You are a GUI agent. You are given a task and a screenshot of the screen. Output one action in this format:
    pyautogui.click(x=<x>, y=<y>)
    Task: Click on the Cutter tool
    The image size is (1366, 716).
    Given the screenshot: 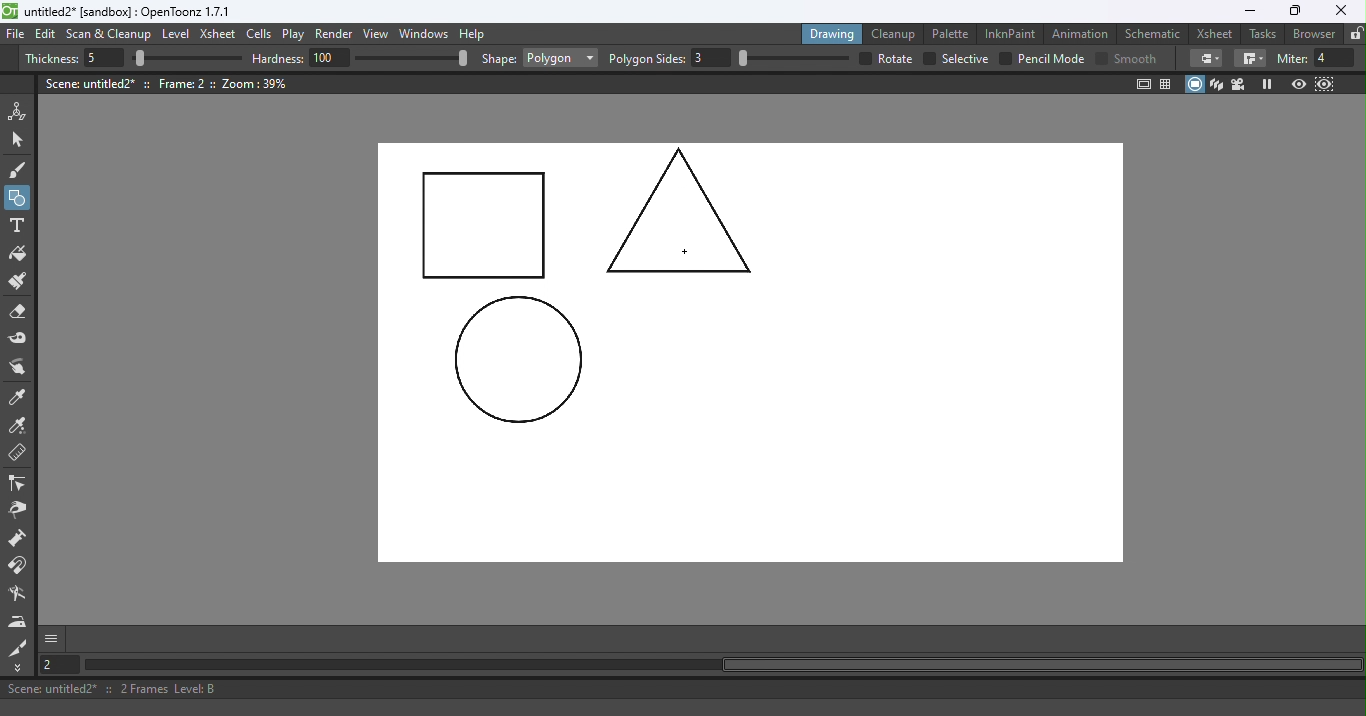 What is the action you would take?
    pyautogui.click(x=18, y=647)
    